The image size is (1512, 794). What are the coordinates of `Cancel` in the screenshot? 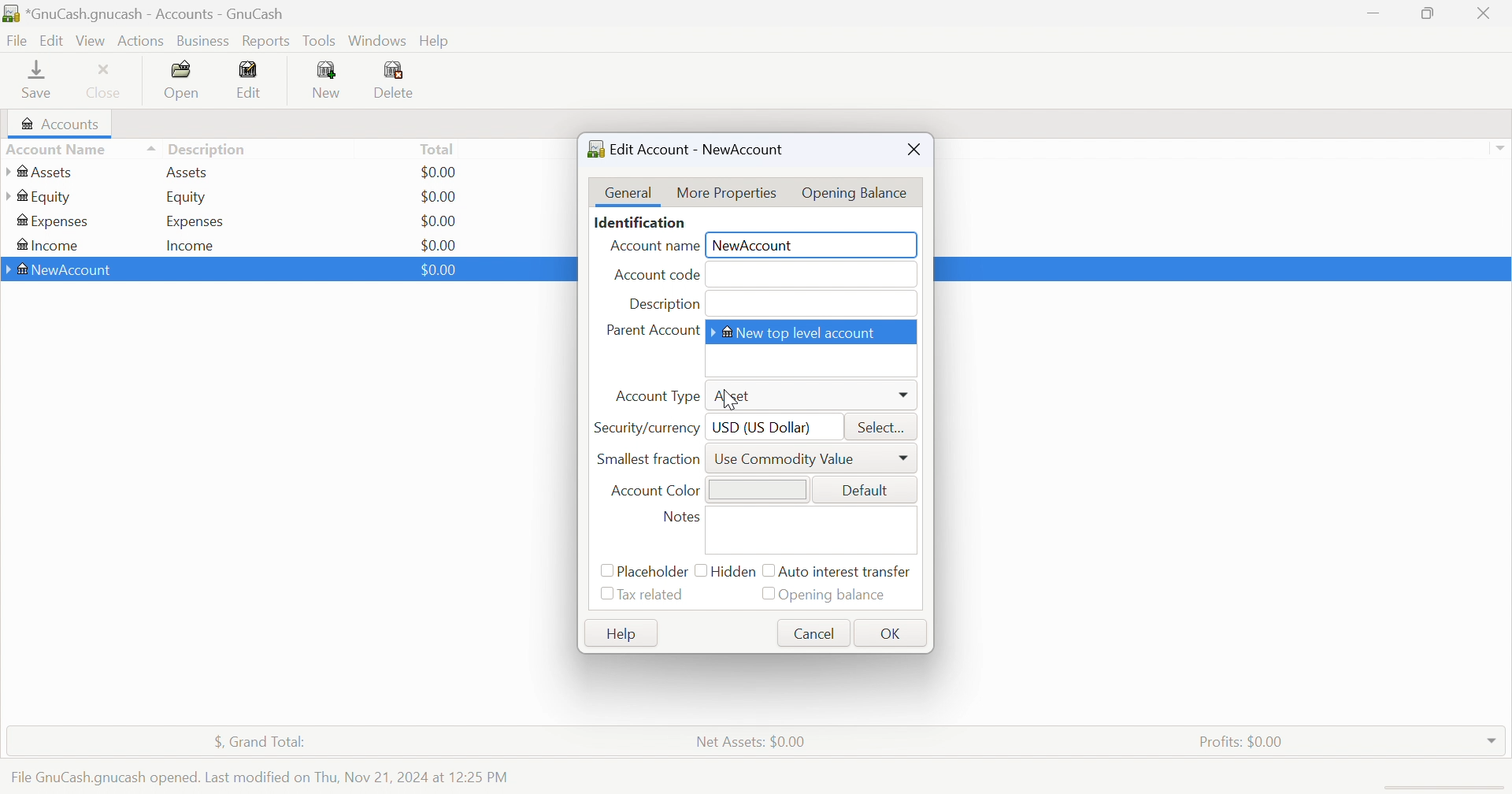 It's located at (813, 633).